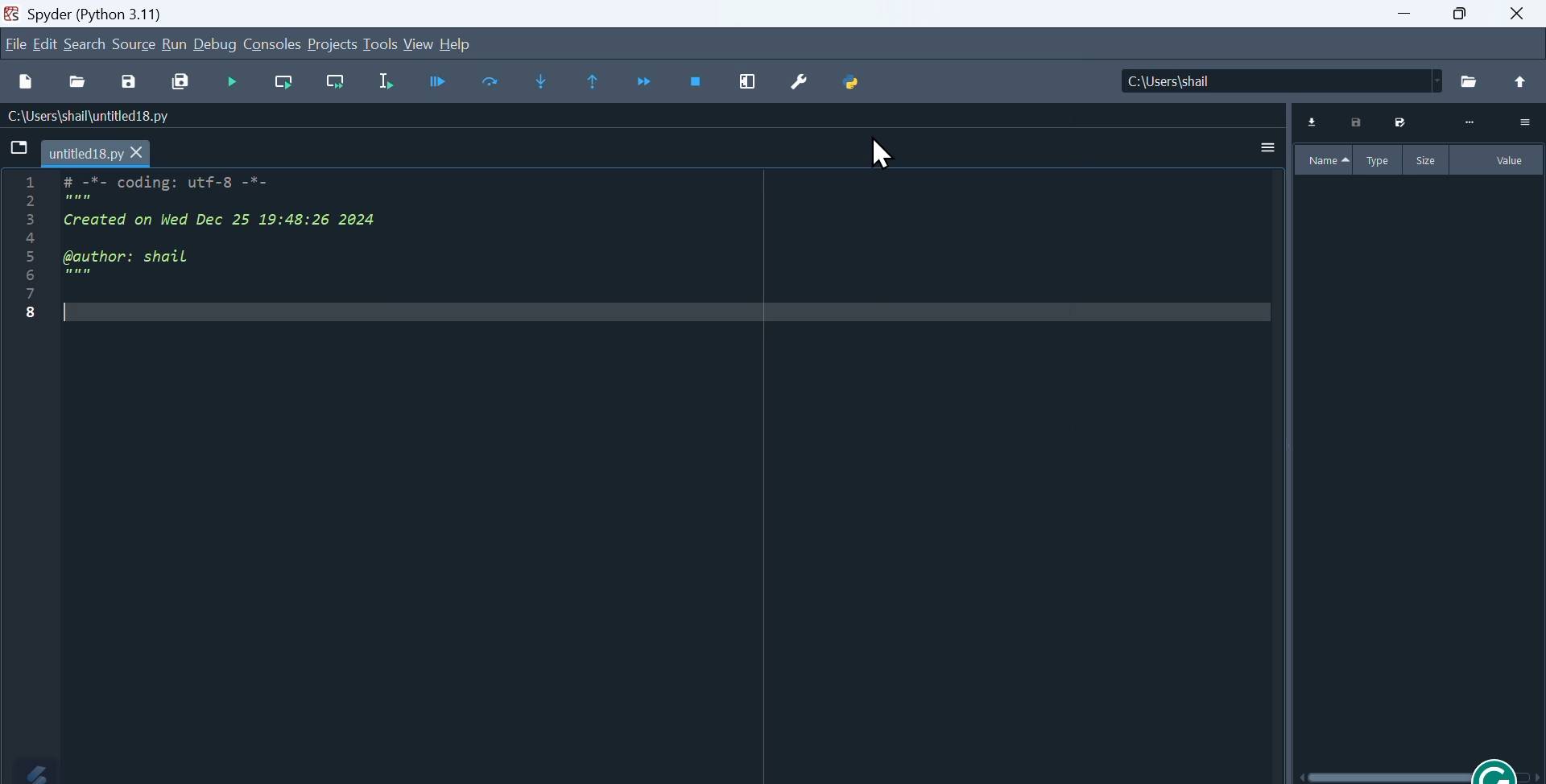 The height and width of the screenshot is (784, 1546). What do you see at coordinates (288, 80) in the screenshot?
I see `Run current cell` at bounding box center [288, 80].